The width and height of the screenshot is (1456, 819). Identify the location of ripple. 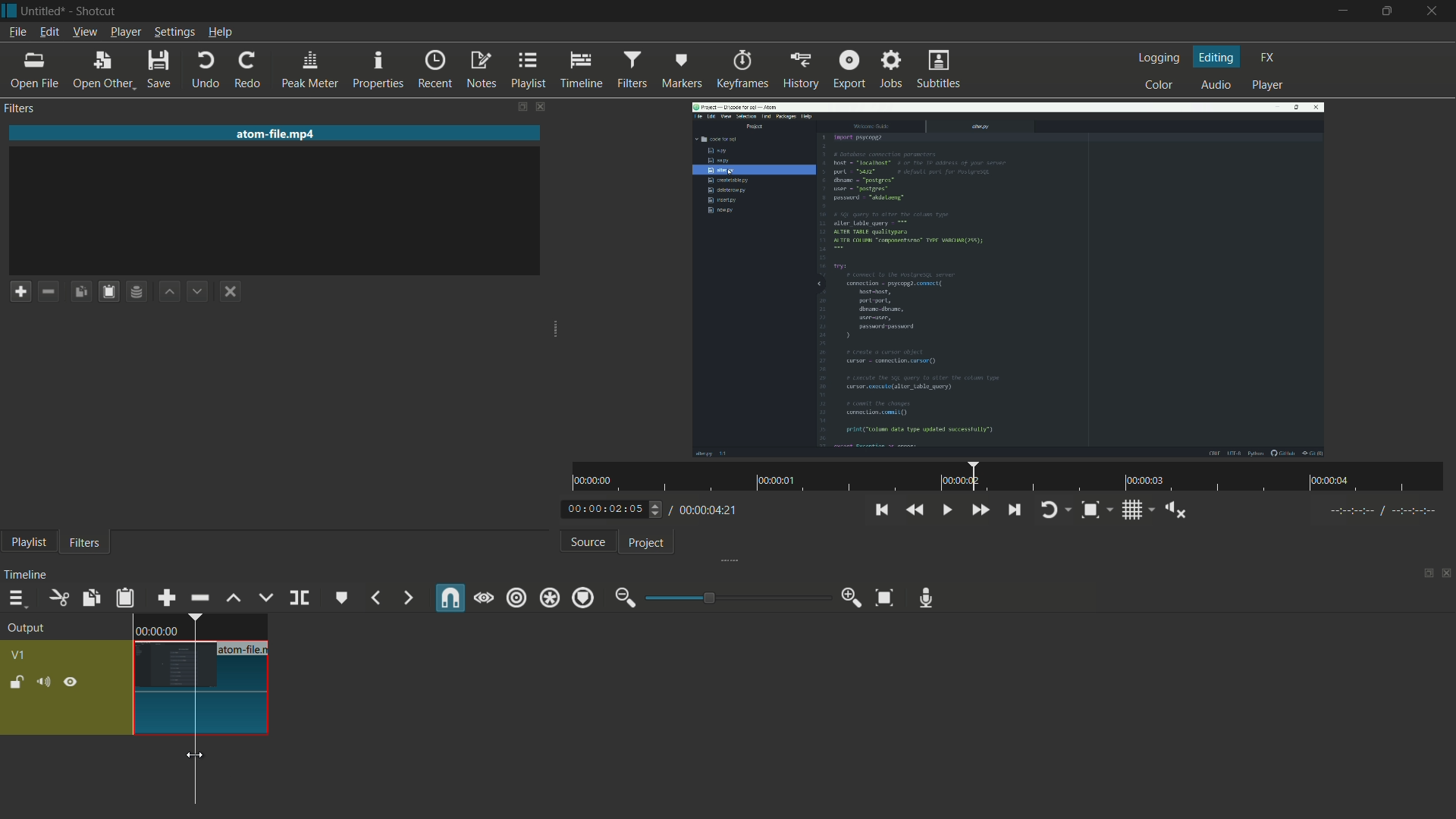
(515, 598).